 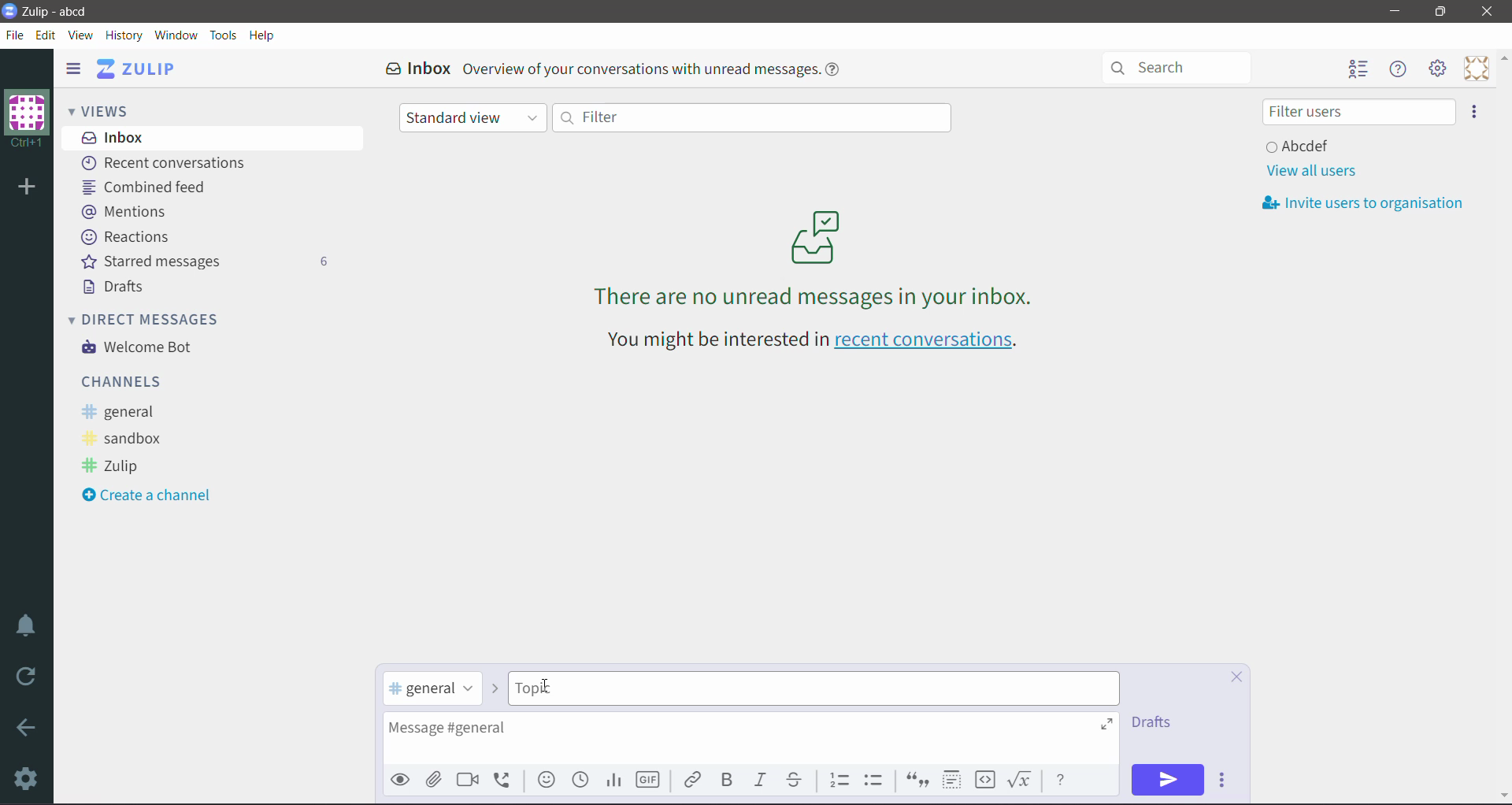 I want to click on Add global time, so click(x=582, y=780).